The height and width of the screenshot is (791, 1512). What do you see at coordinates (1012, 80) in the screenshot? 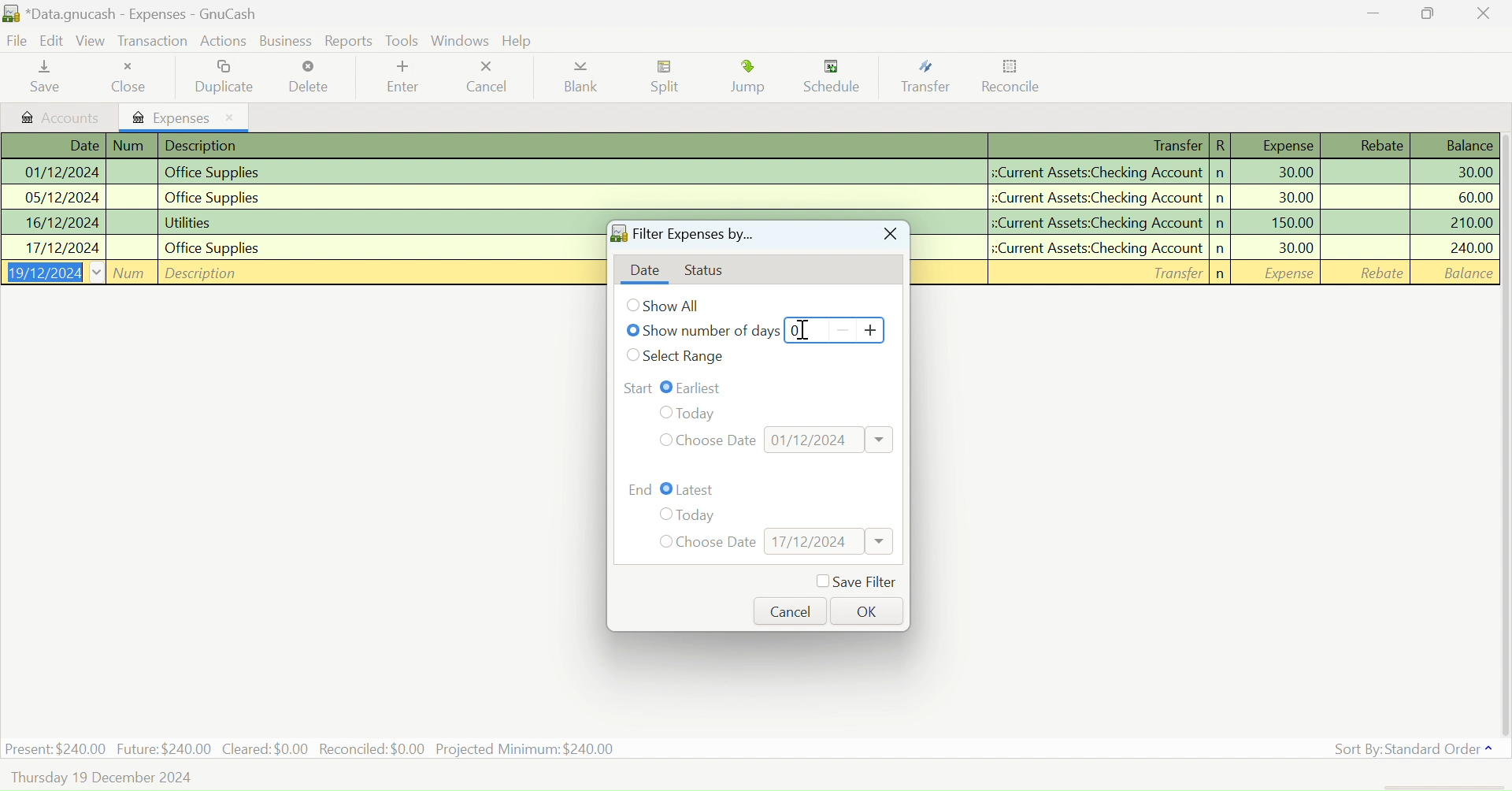
I see `Reconcile` at bounding box center [1012, 80].